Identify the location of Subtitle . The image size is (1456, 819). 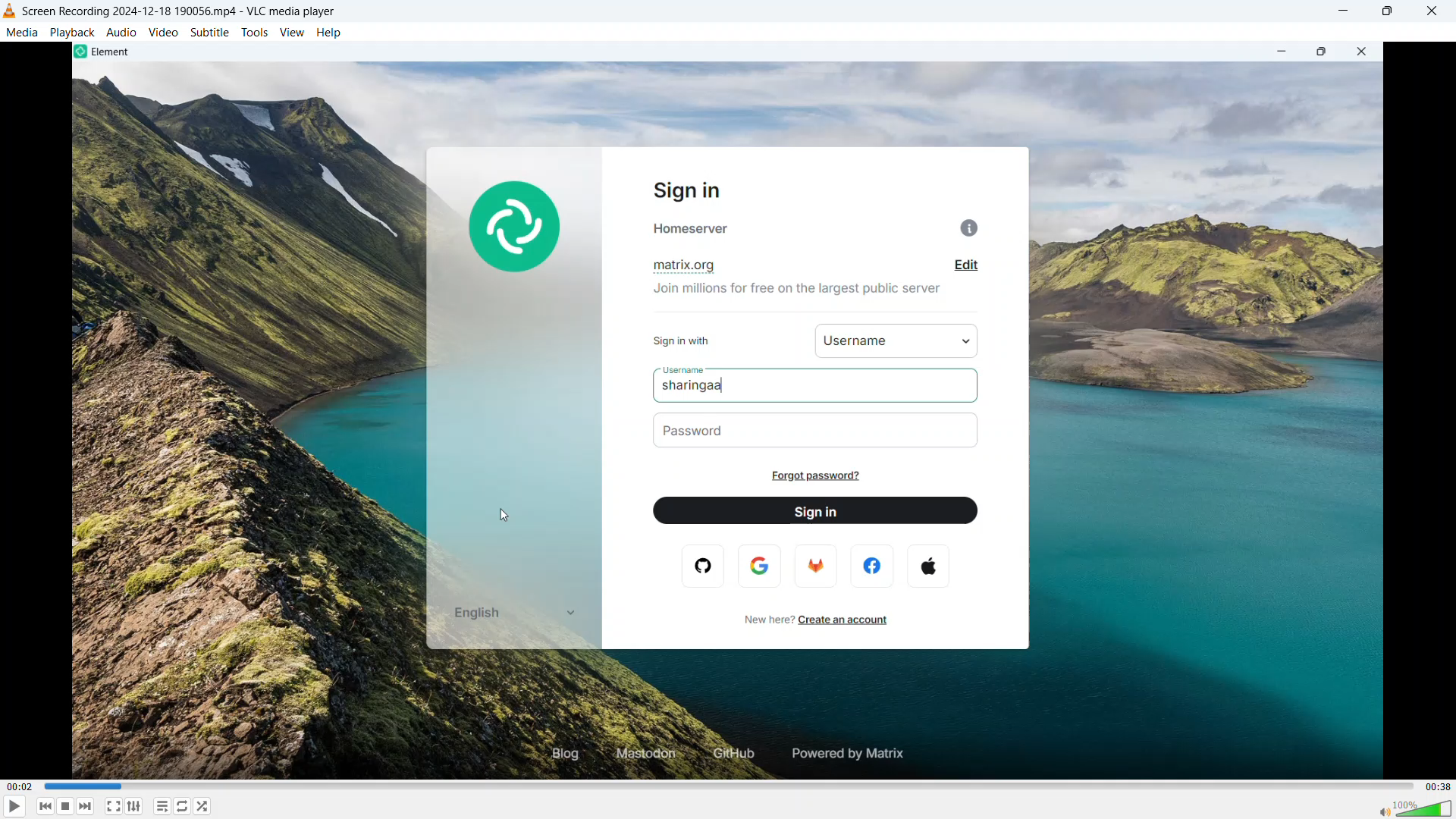
(210, 33).